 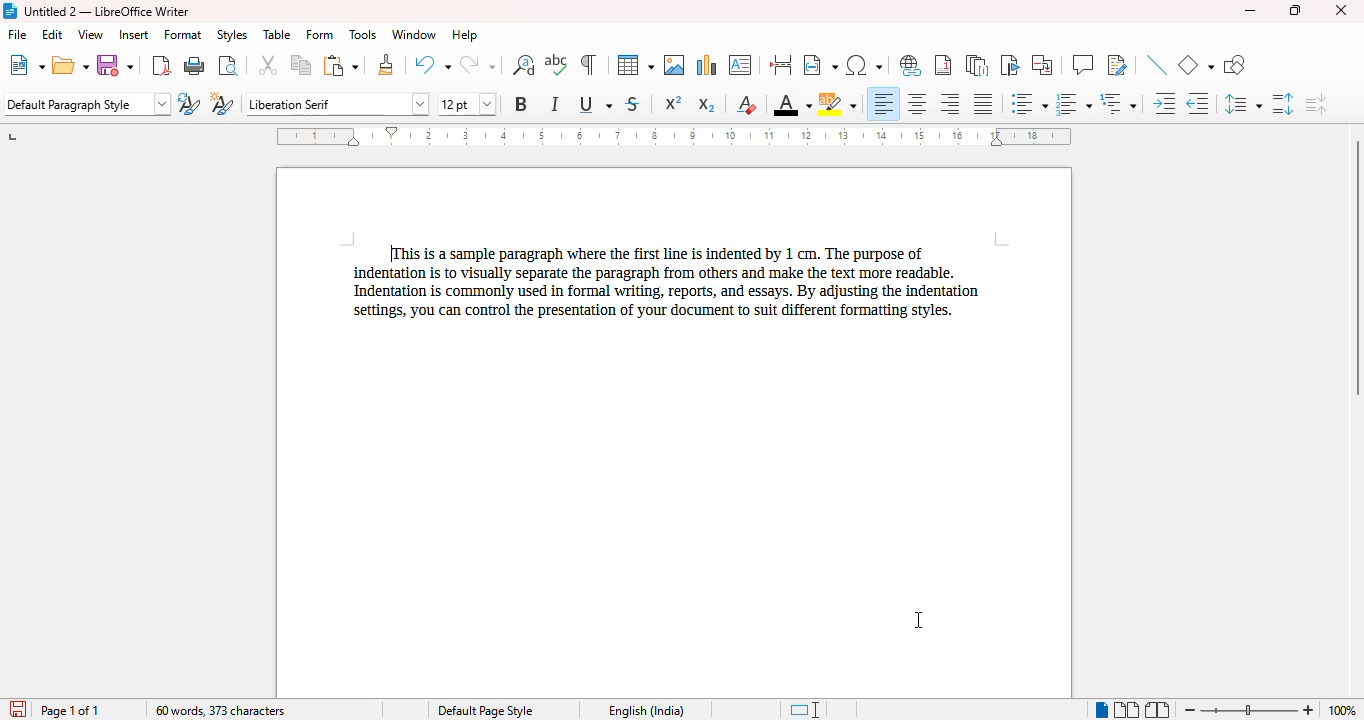 I want to click on edit, so click(x=53, y=34).